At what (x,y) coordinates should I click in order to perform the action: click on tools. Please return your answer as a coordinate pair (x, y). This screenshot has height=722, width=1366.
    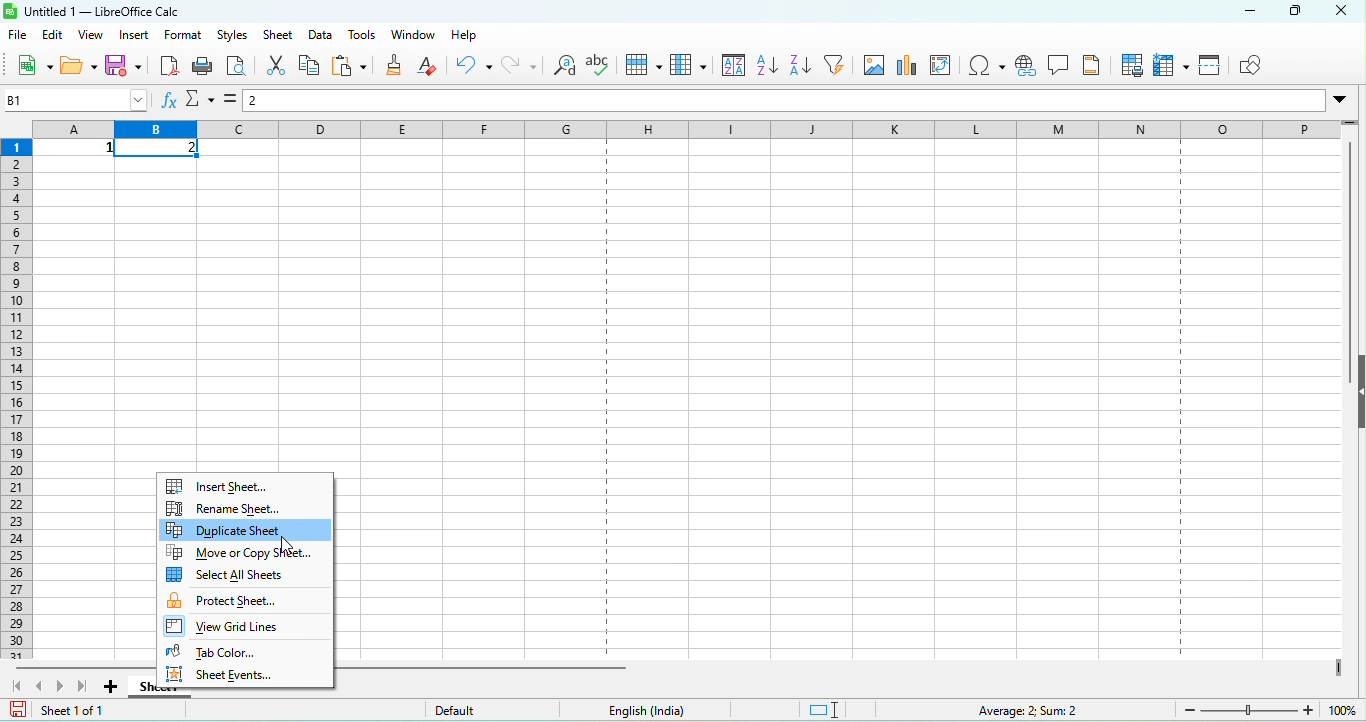
    Looking at the image, I should click on (365, 34).